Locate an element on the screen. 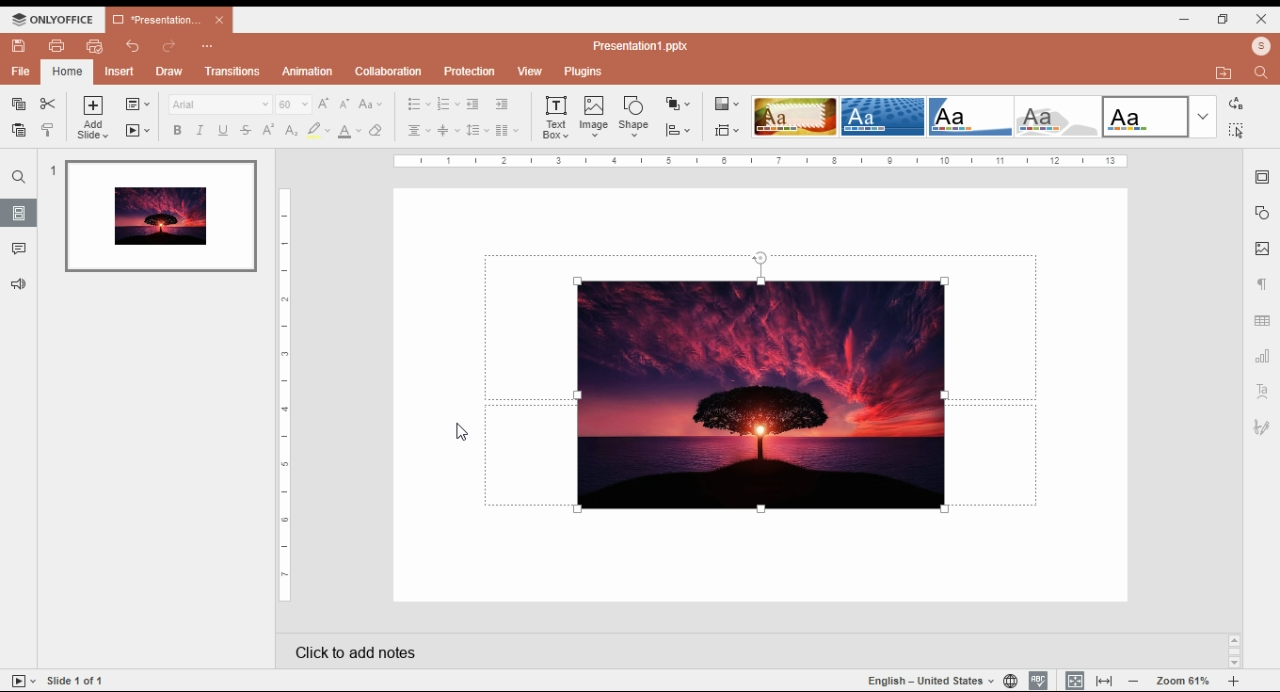 This screenshot has width=1280, height=692. text art  settings is located at coordinates (1262, 390).